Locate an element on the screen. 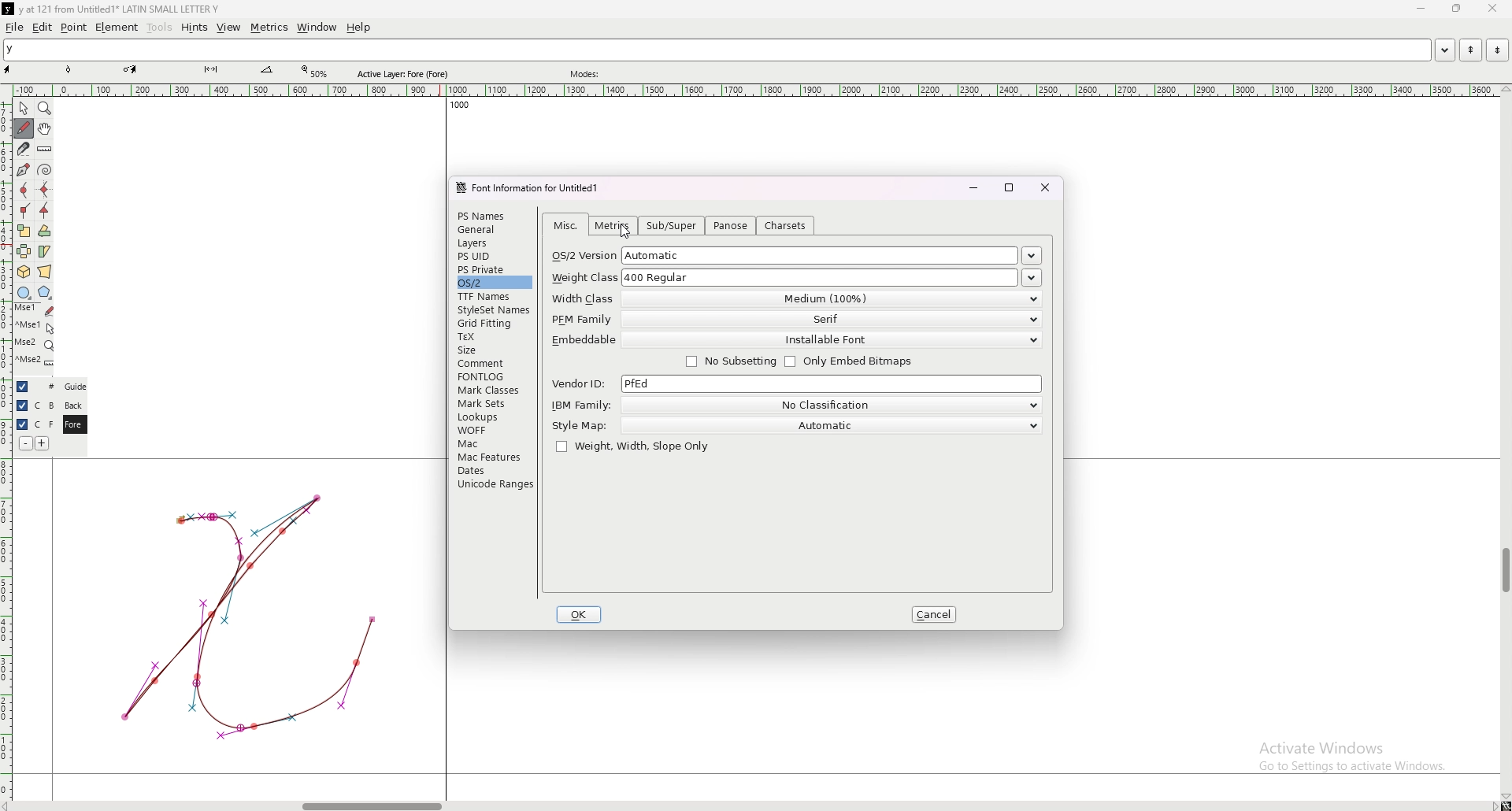 The height and width of the screenshot is (811, 1512). os/2 versions is located at coordinates (1032, 257).